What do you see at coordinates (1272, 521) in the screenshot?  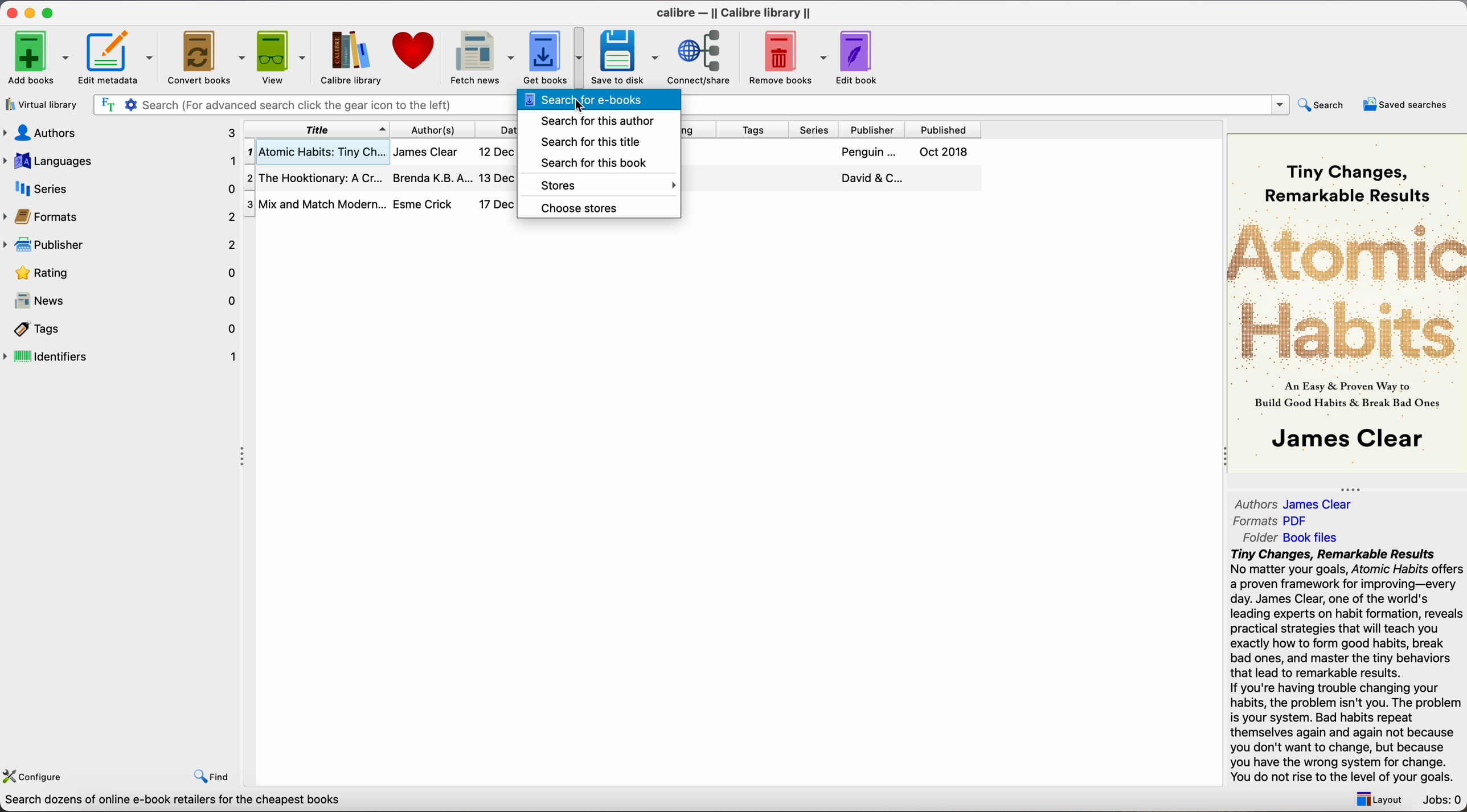 I see `Formats PDF` at bounding box center [1272, 521].